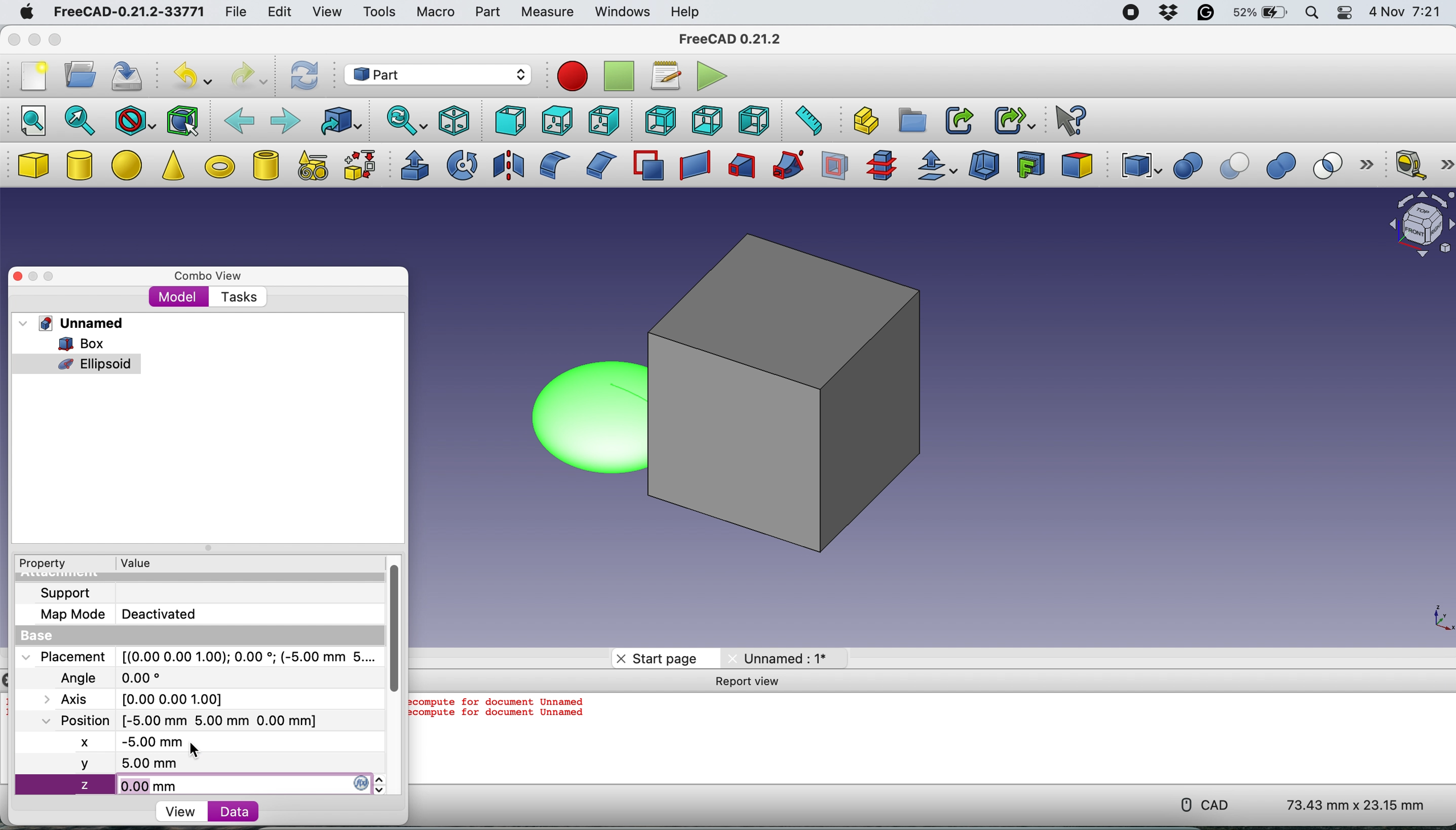  What do you see at coordinates (913, 120) in the screenshot?
I see `create group` at bounding box center [913, 120].